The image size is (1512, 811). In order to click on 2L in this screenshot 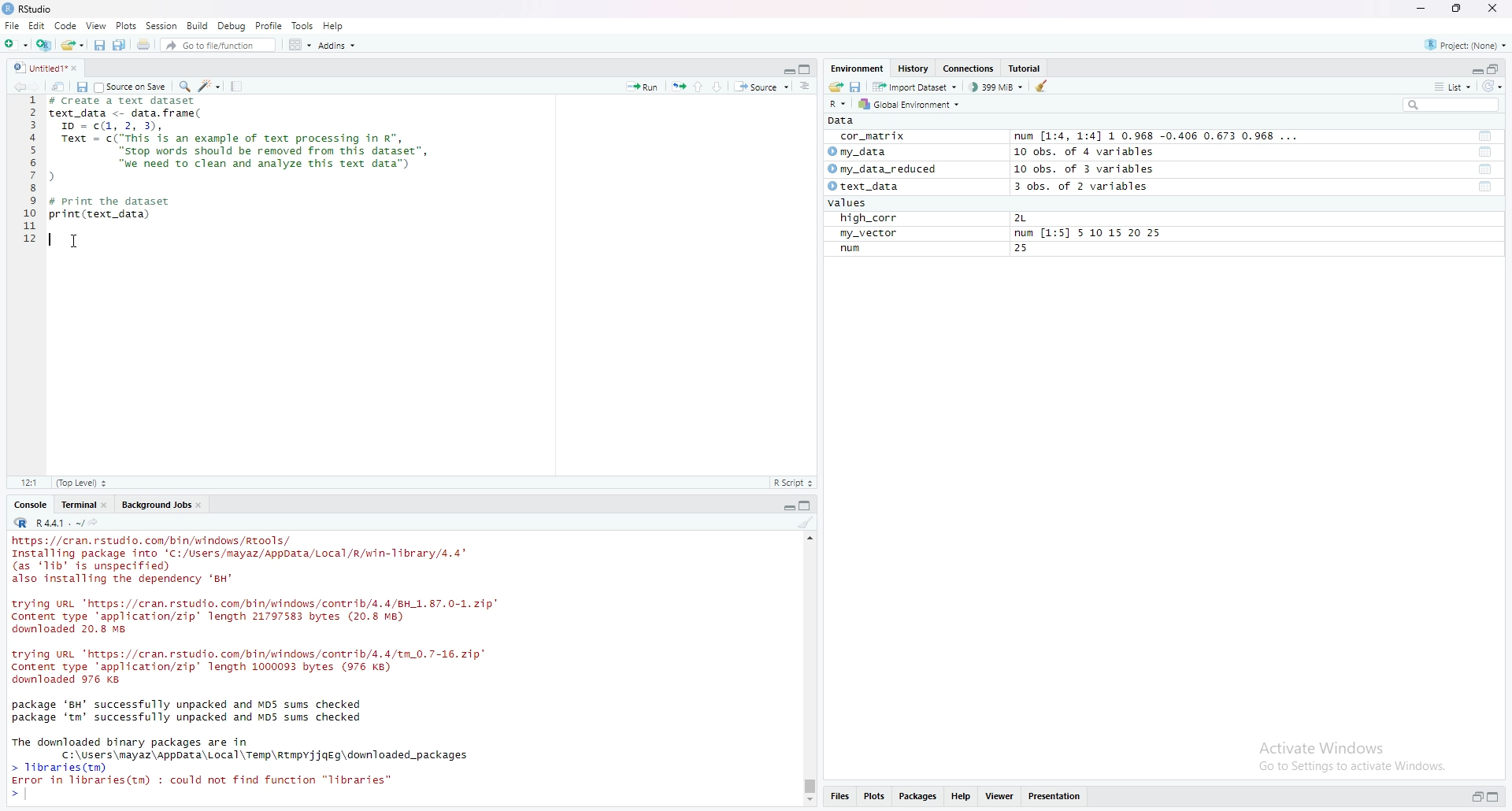, I will do `click(1020, 218)`.